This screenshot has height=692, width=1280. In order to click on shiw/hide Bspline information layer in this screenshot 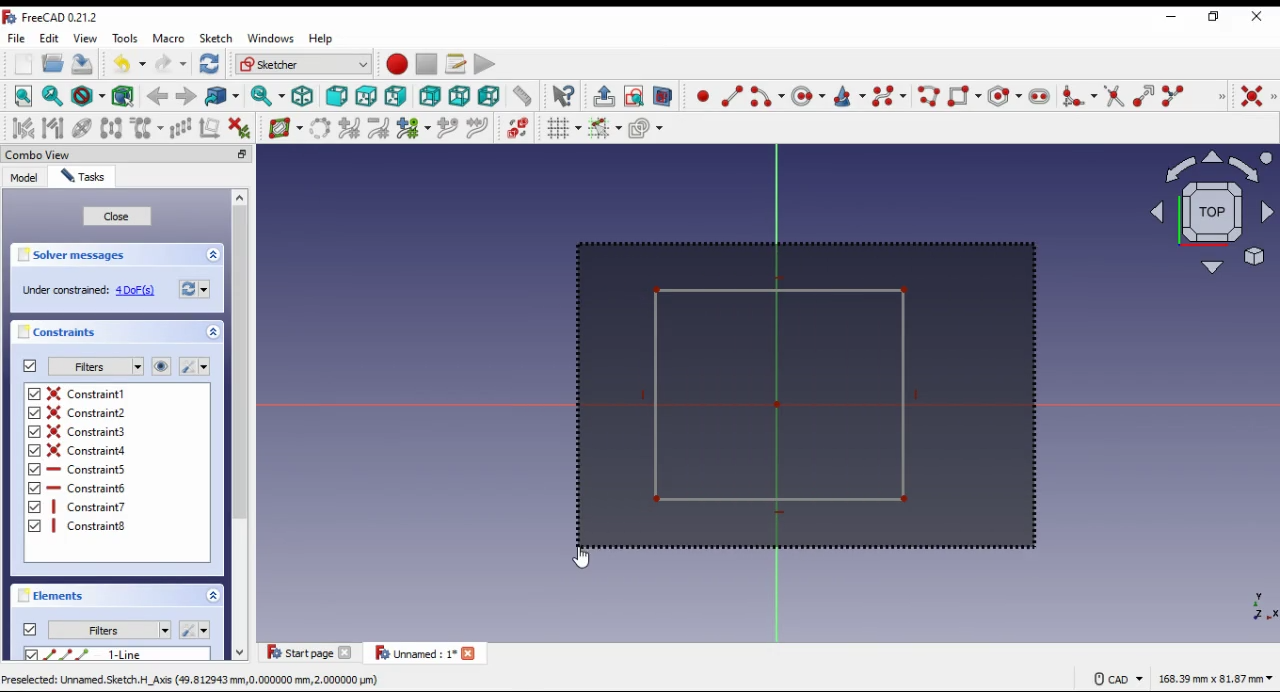, I will do `click(286, 127)`.